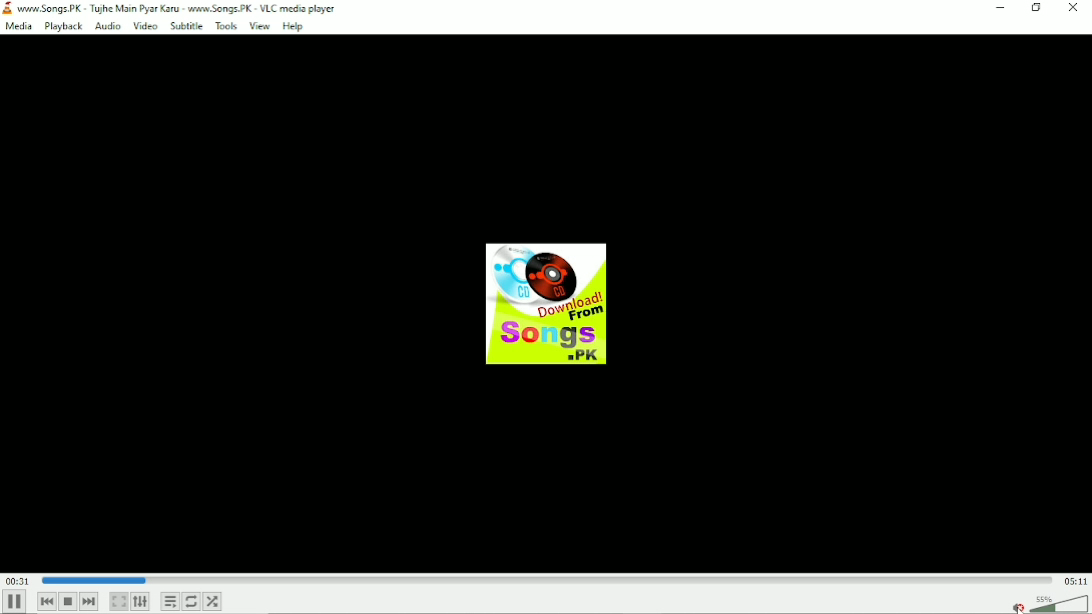 The image size is (1092, 614). What do you see at coordinates (1048, 603) in the screenshot?
I see `Muted` at bounding box center [1048, 603].